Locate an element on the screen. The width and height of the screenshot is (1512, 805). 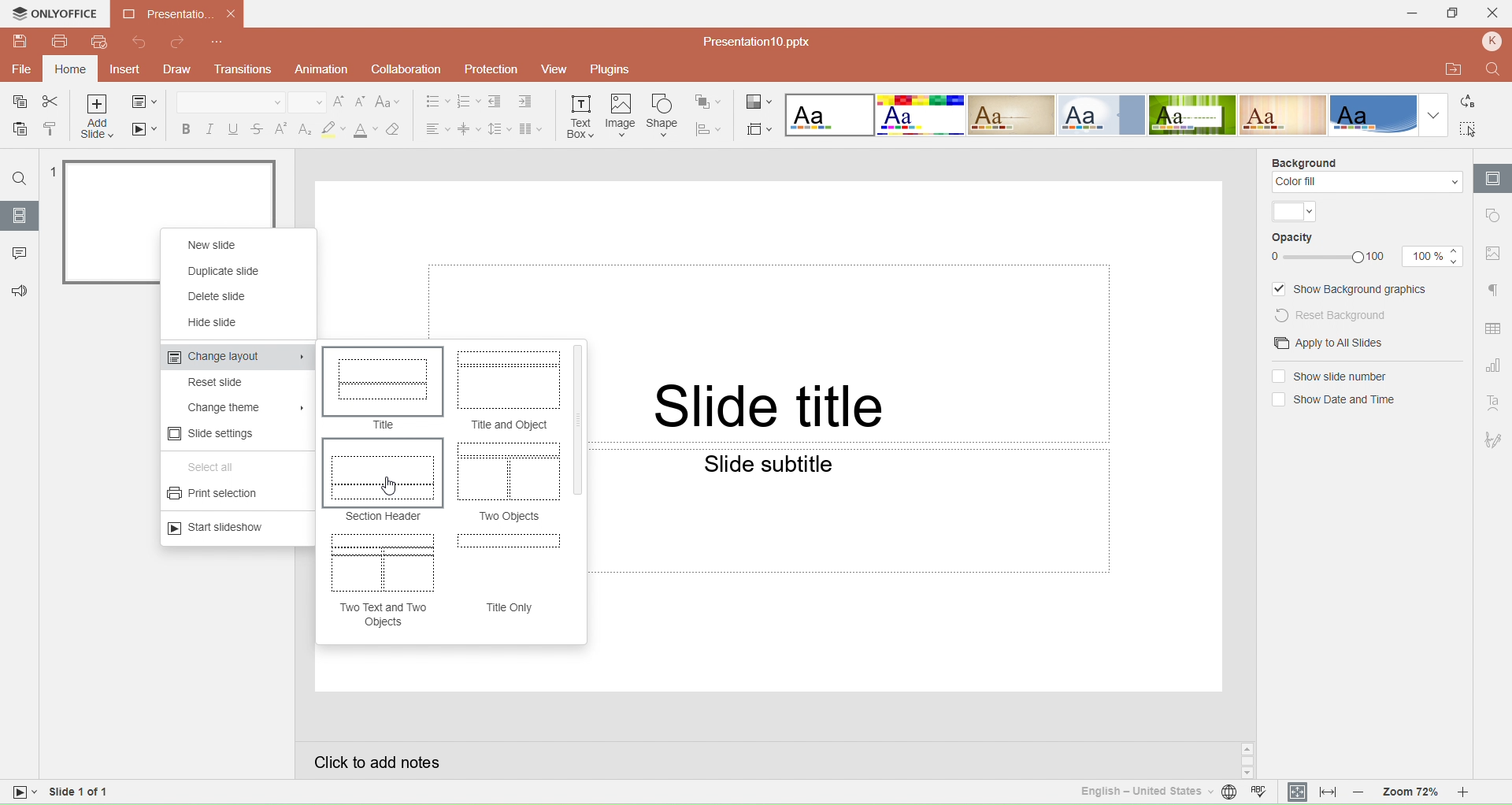
Only office is located at coordinates (56, 16).